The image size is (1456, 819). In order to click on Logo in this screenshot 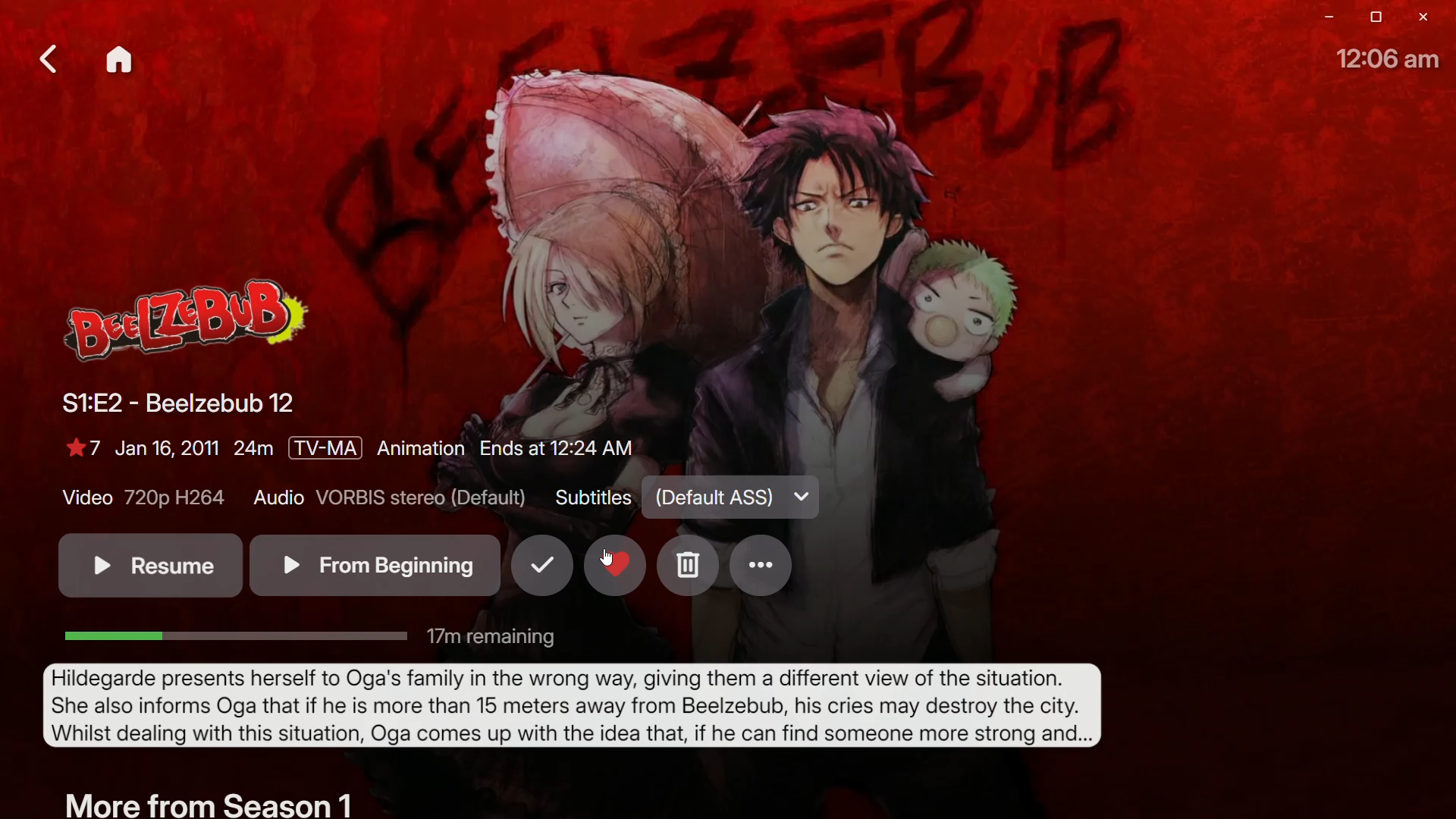, I will do `click(190, 324)`.